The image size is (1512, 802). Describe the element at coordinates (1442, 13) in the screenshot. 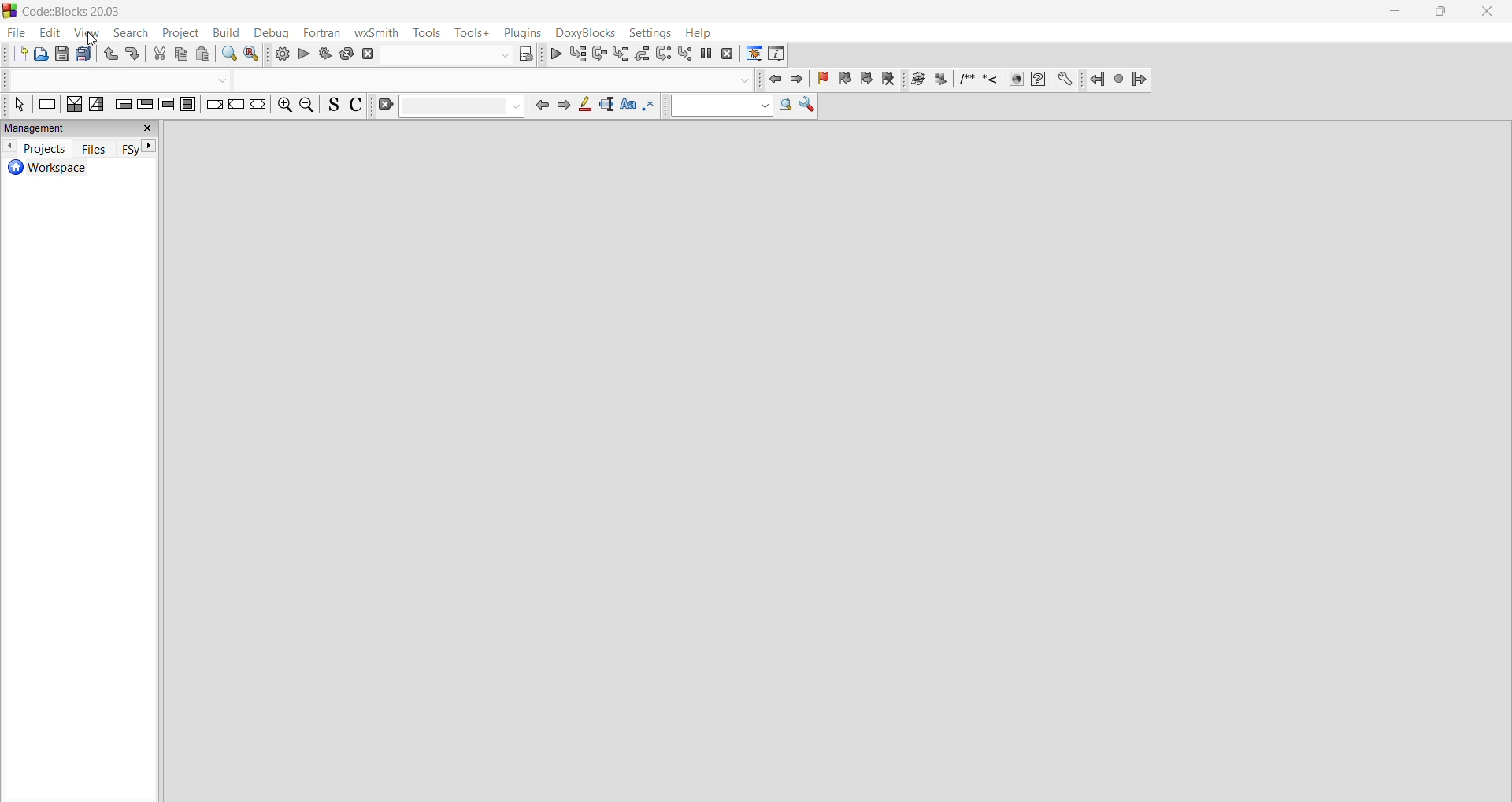

I see `maximize` at that location.